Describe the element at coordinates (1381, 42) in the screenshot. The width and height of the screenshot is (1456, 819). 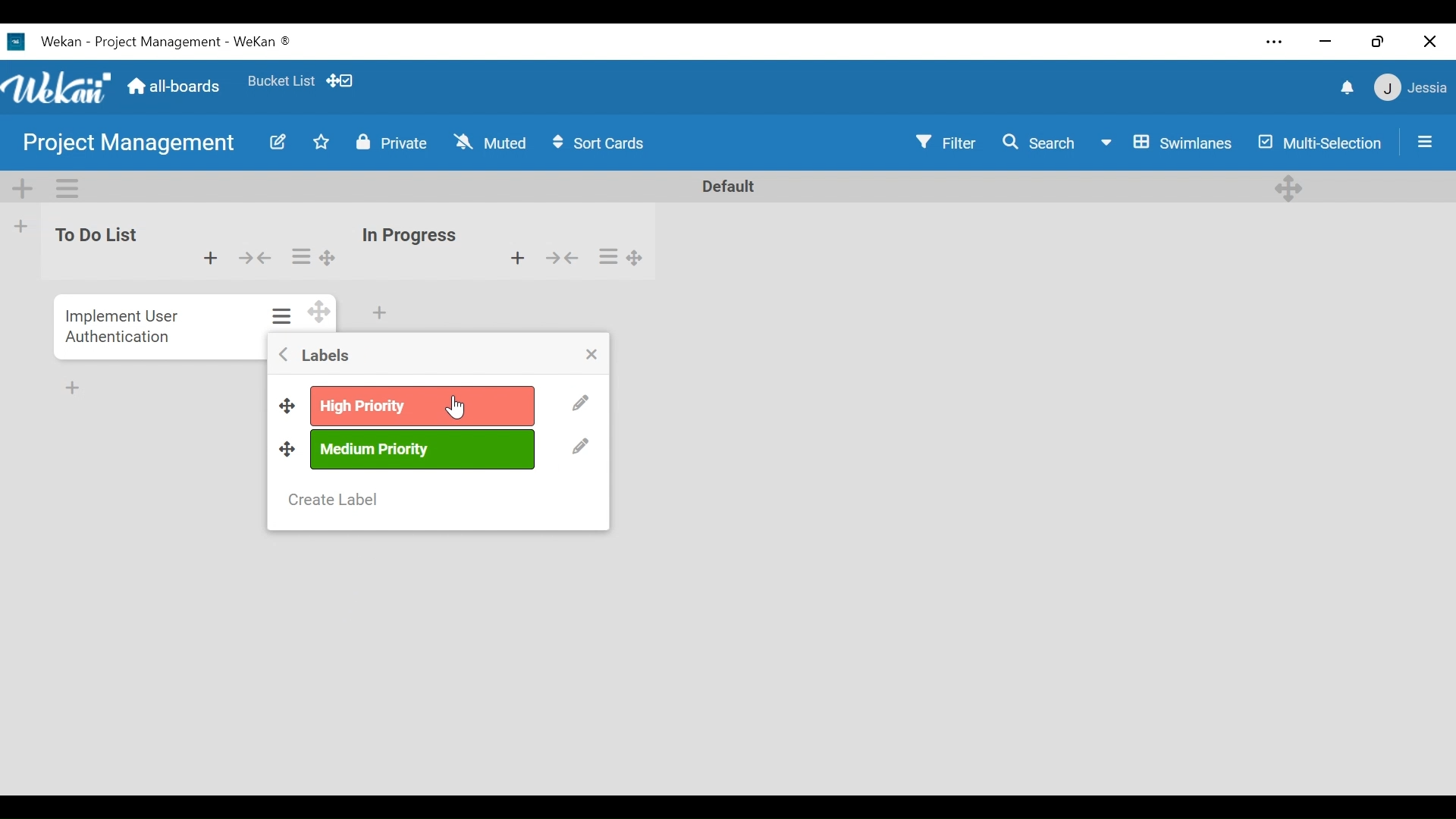
I see `restore` at that location.